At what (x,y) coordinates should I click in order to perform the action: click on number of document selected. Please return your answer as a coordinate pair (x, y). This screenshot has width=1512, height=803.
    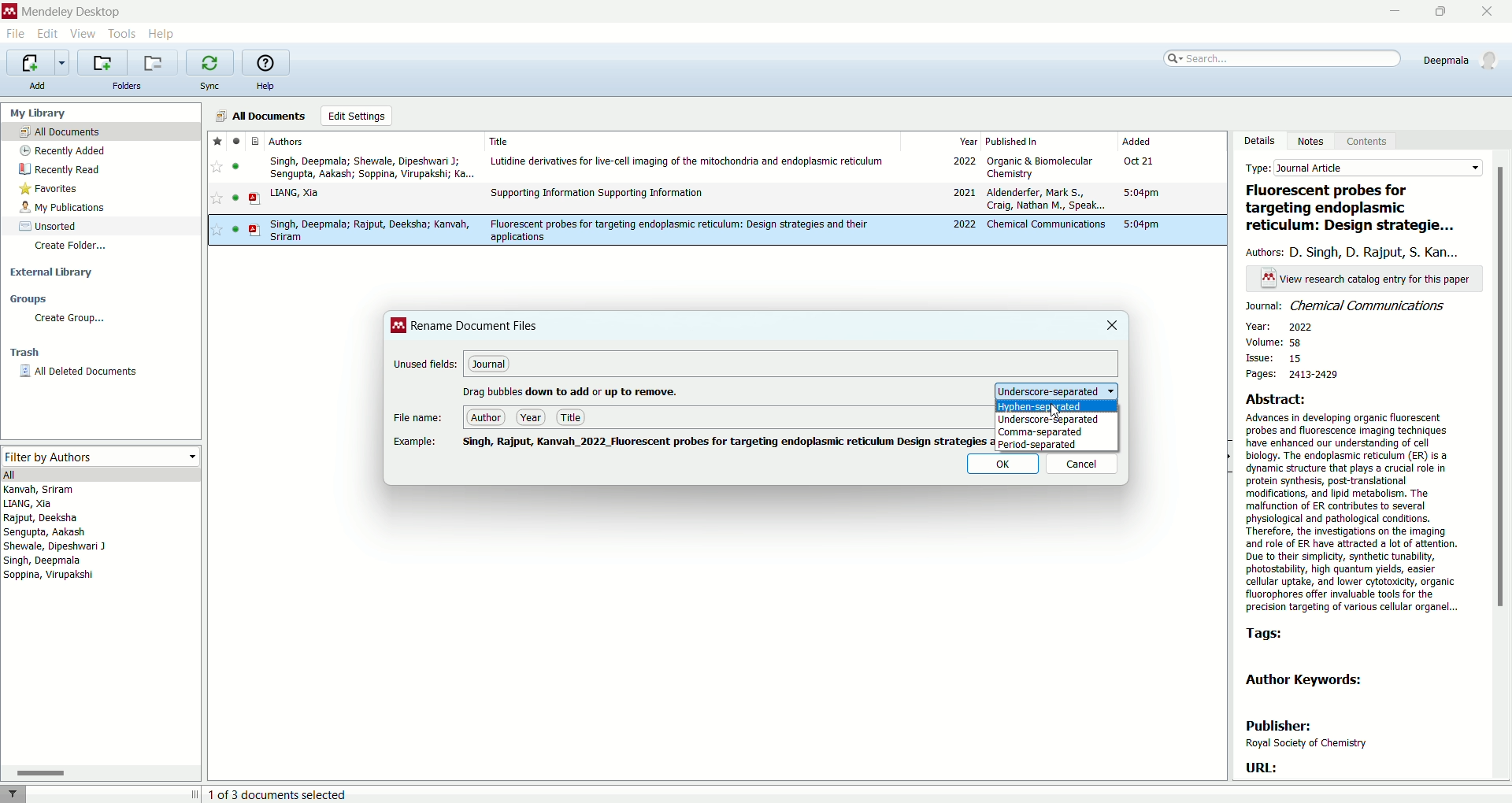
    Looking at the image, I should click on (280, 794).